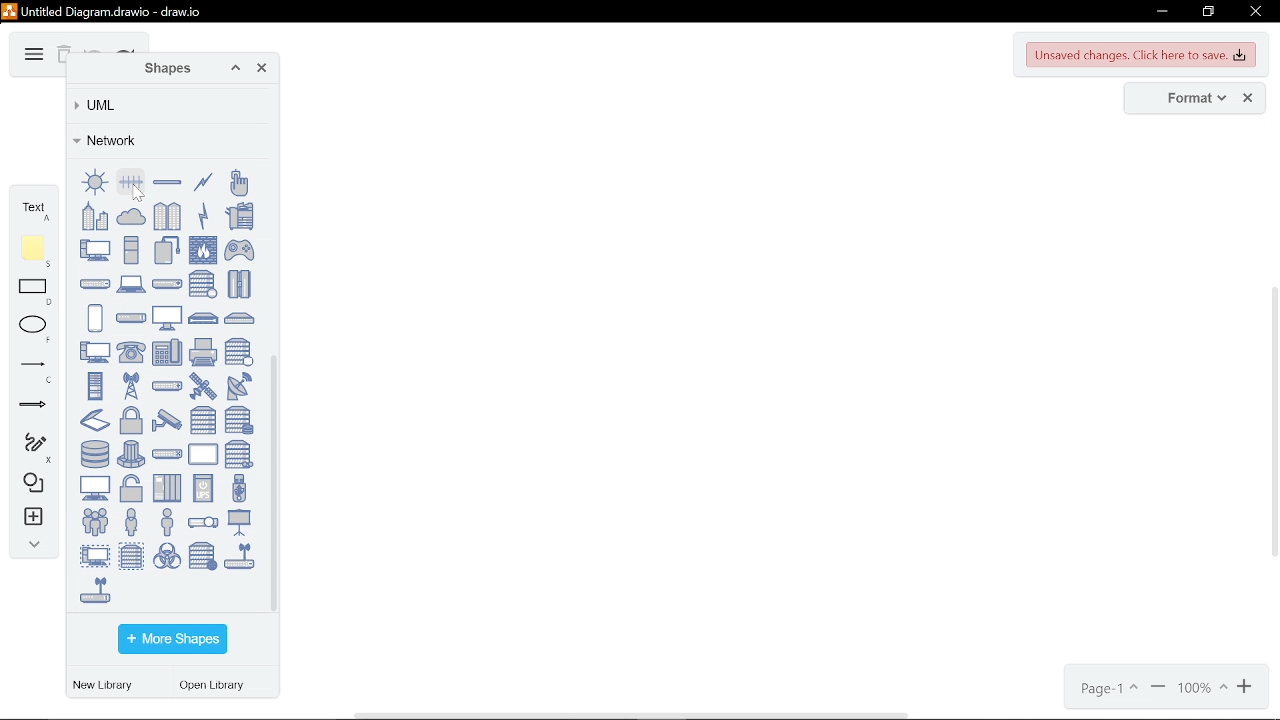 This screenshot has height=720, width=1280. Describe the element at coordinates (36, 251) in the screenshot. I see `note` at that location.